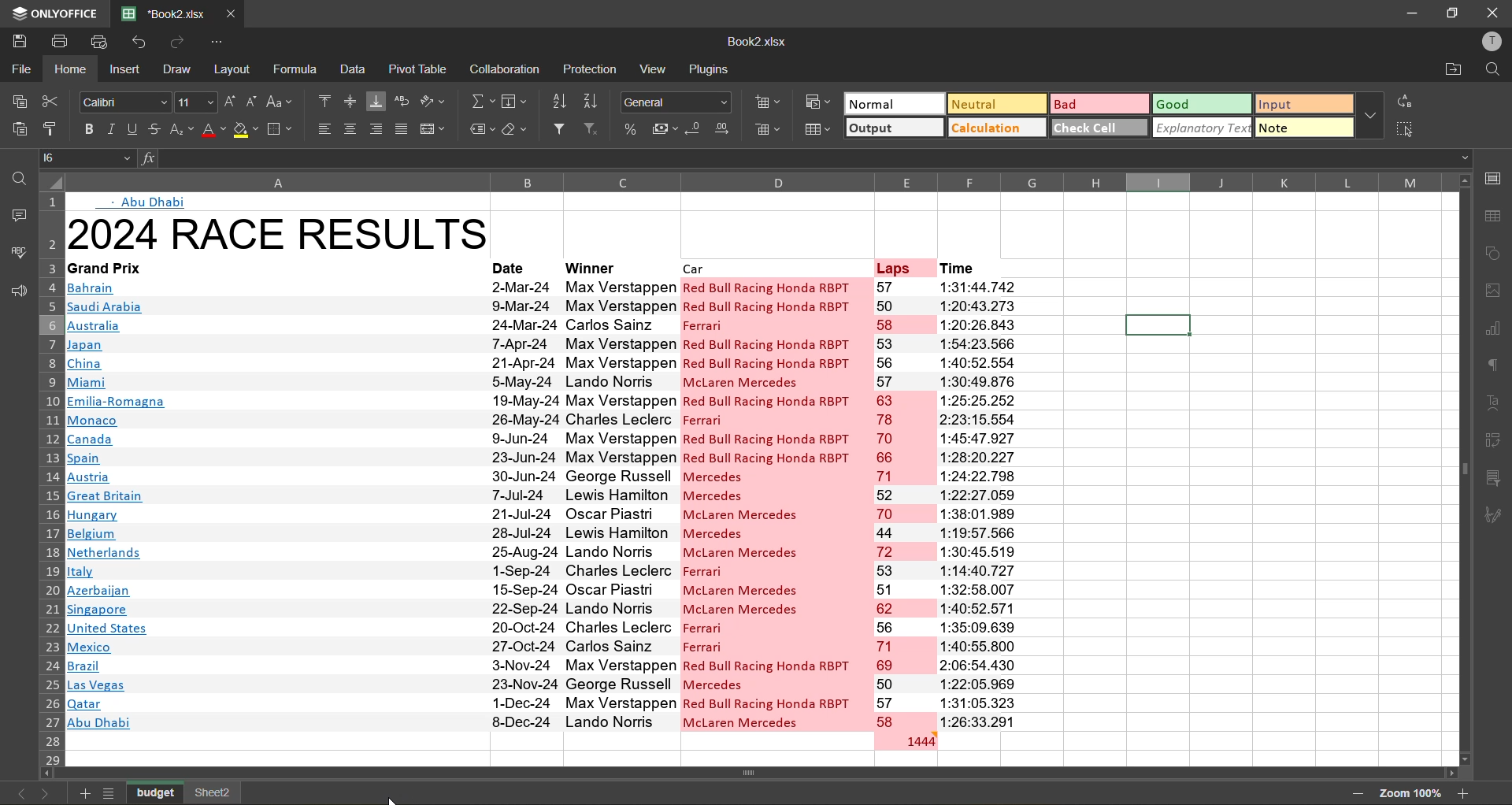 Image resolution: width=1512 pixels, height=805 pixels. I want to click on winner, so click(616, 265).